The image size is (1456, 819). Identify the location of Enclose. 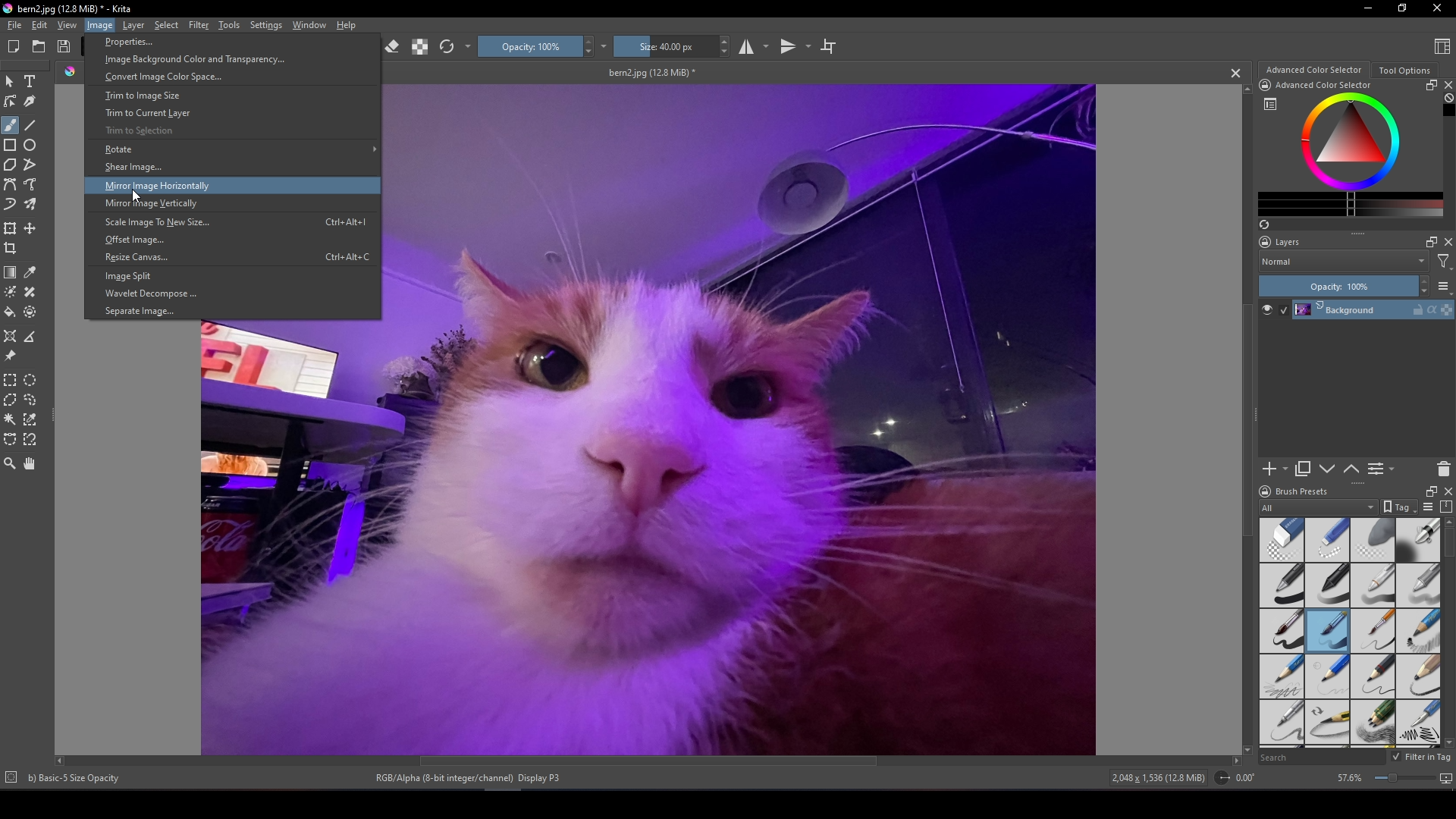
(30, 312).